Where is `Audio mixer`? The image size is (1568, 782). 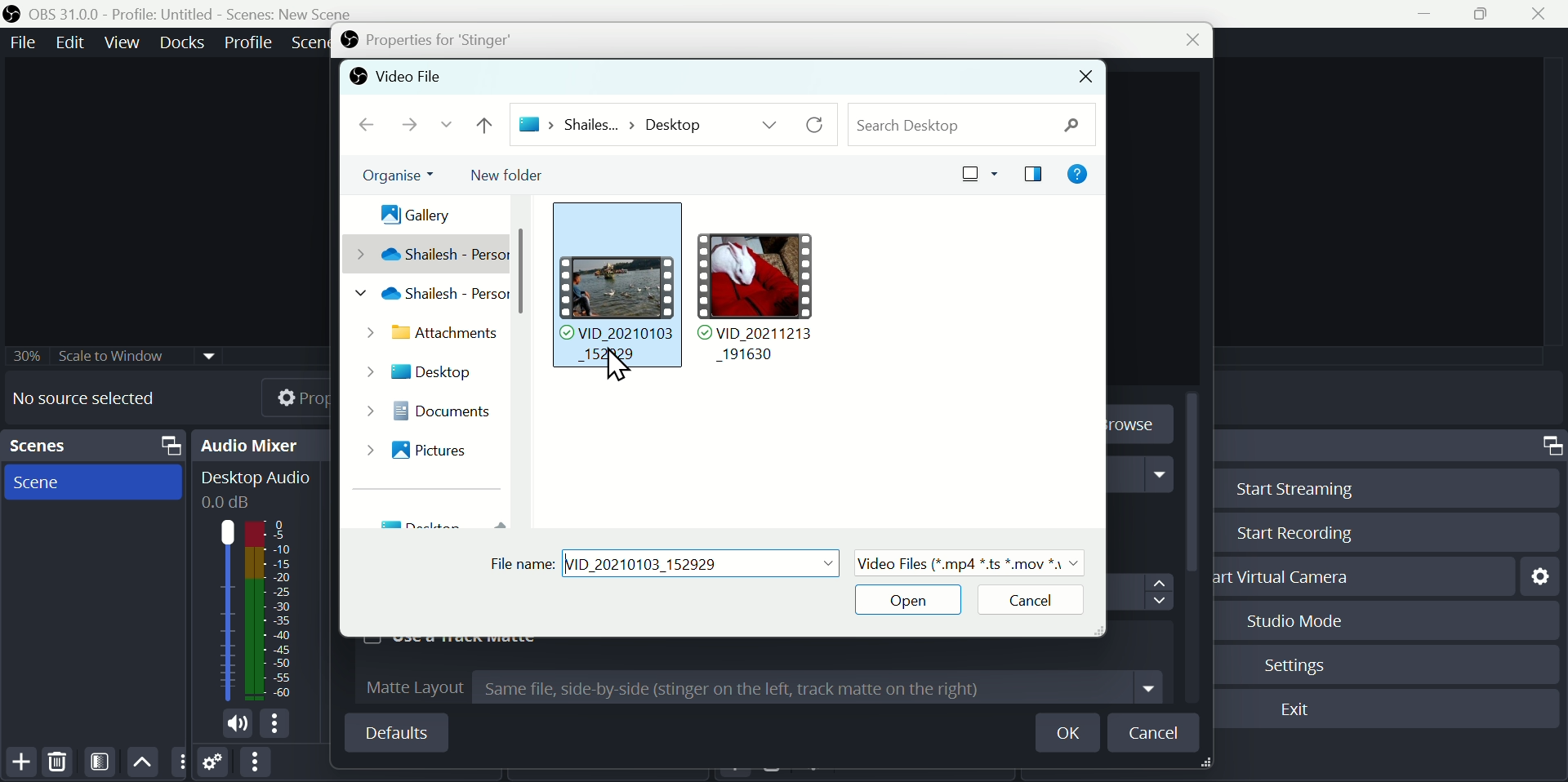
Audio mixer is located at coordinates (265, 444).